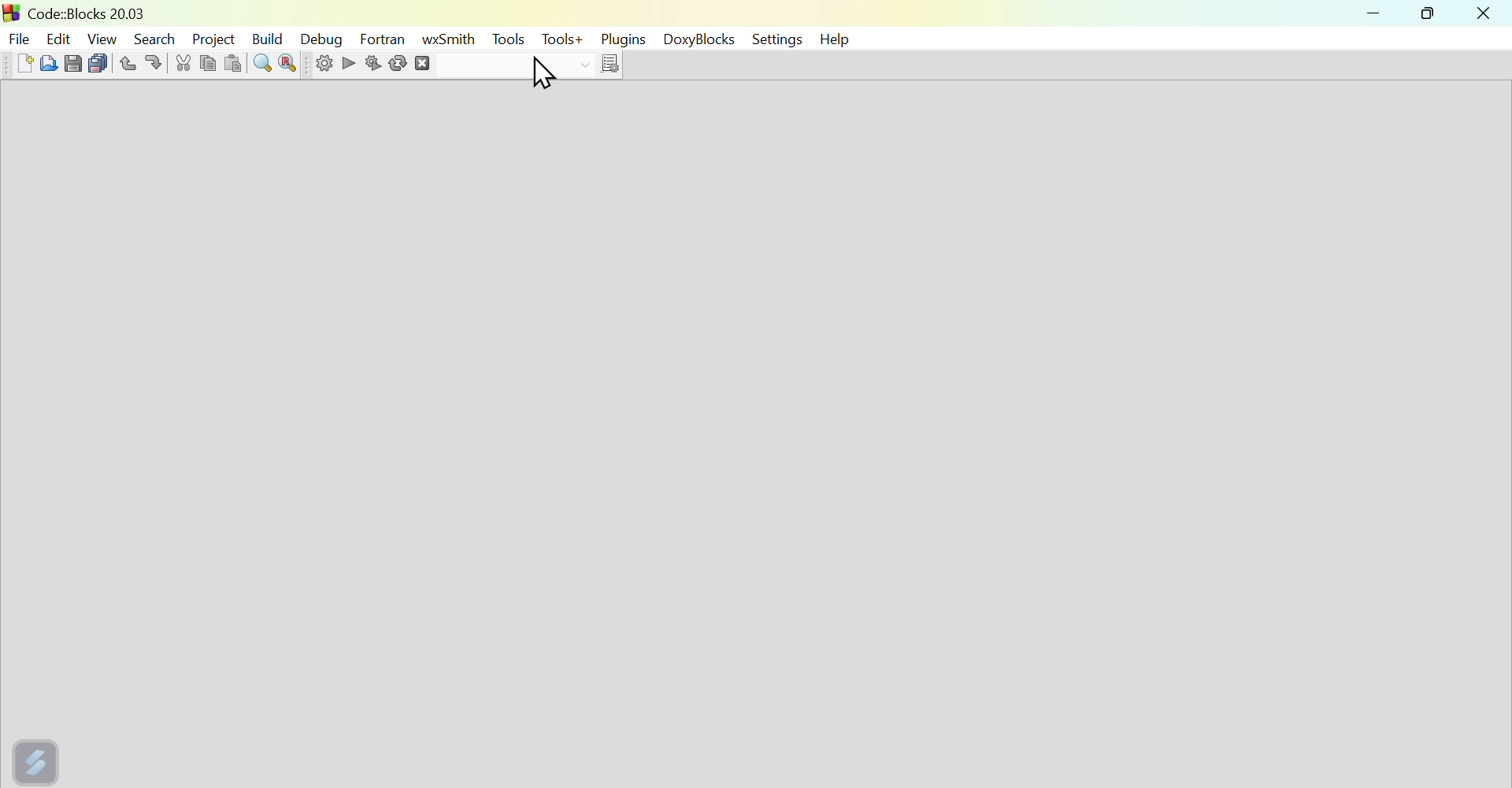 This screenshot has height=788, width=1512. What do you see at coordinates (154, 35) in the screenshot?
I see `Search` at bounding box center [154, 35].